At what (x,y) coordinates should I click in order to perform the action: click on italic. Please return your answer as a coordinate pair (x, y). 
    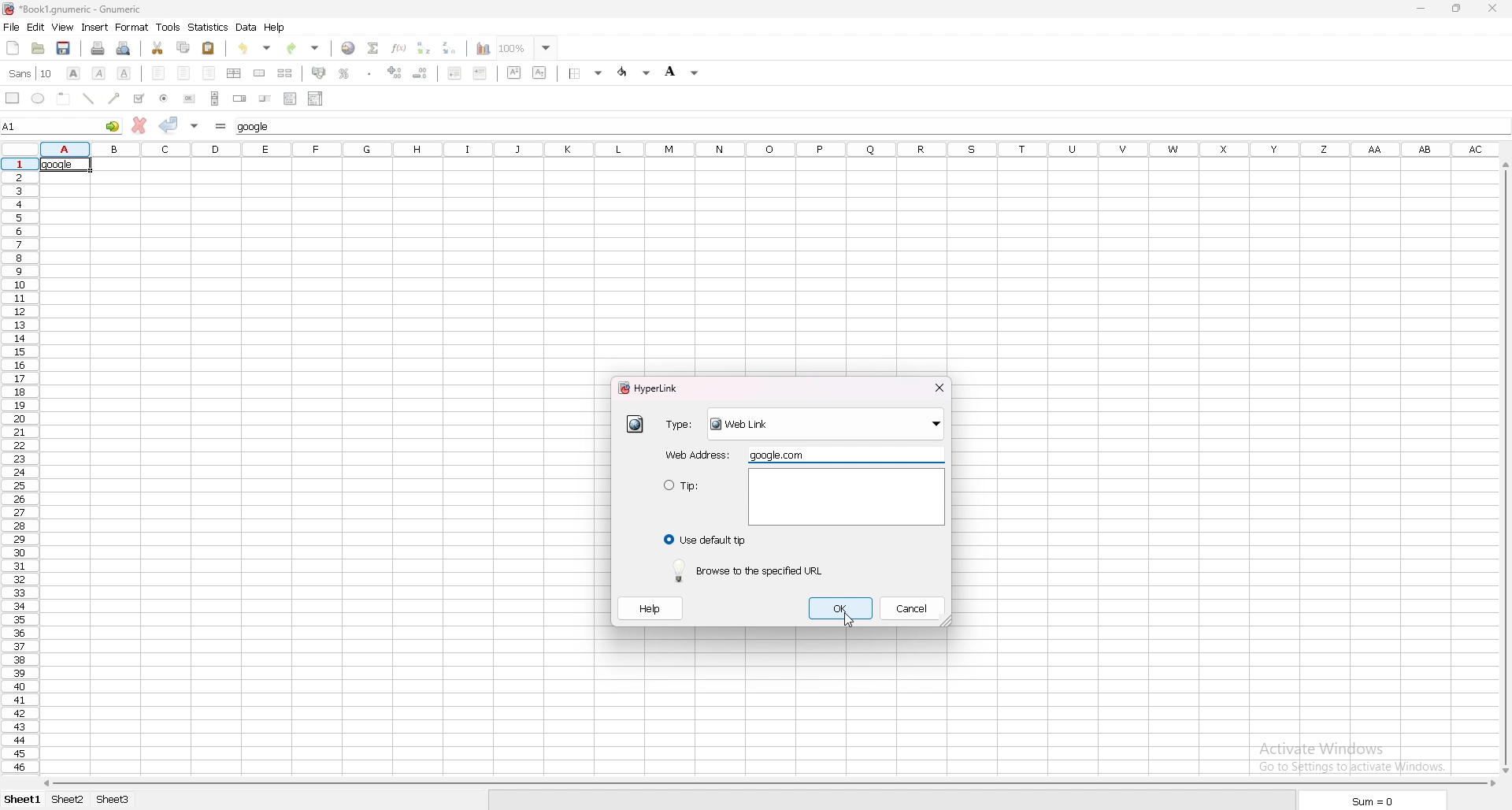
    Looking at the image, I should click on (100, 72).